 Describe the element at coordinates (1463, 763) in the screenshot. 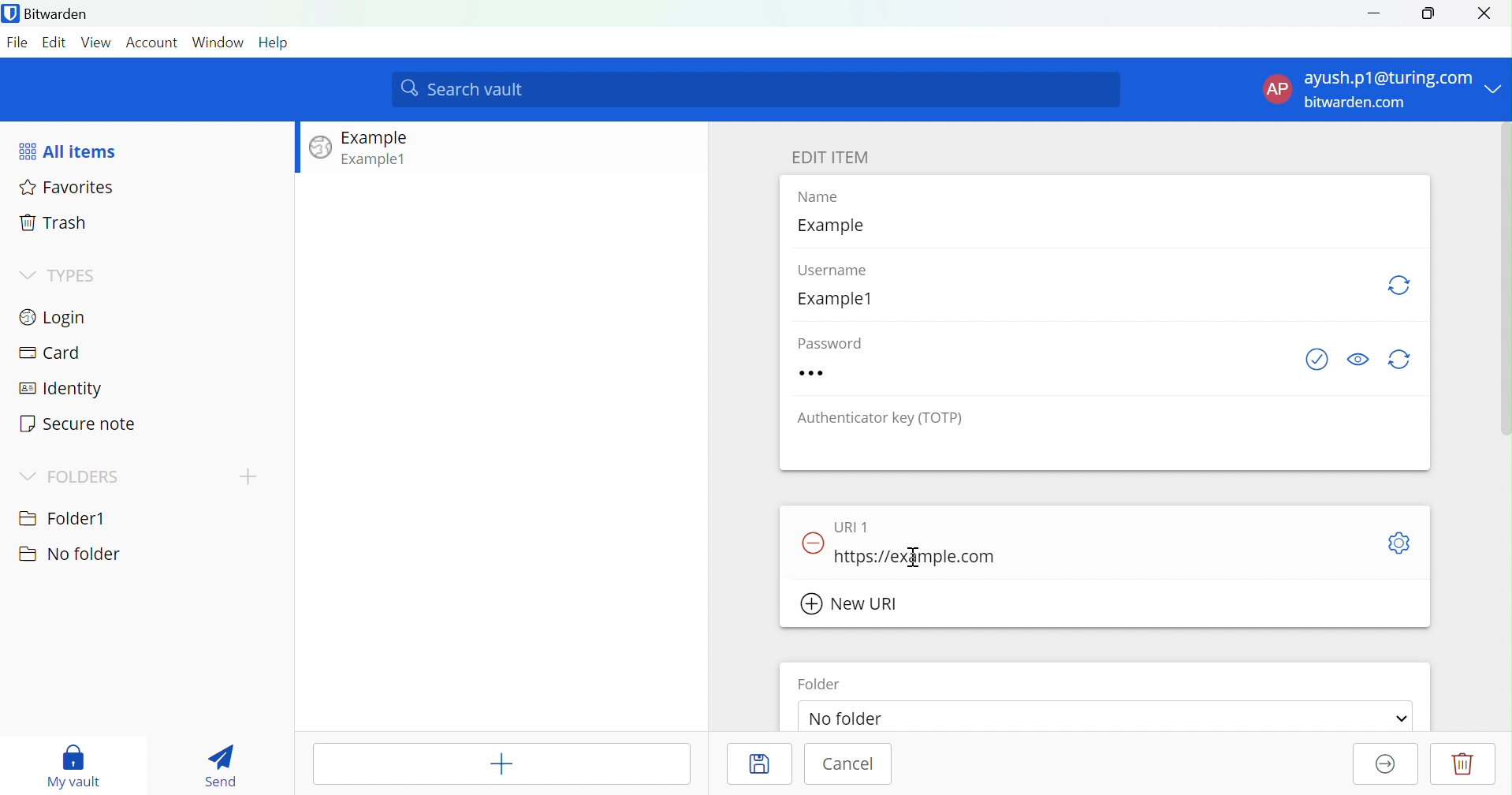

I see `Delete` at that location.